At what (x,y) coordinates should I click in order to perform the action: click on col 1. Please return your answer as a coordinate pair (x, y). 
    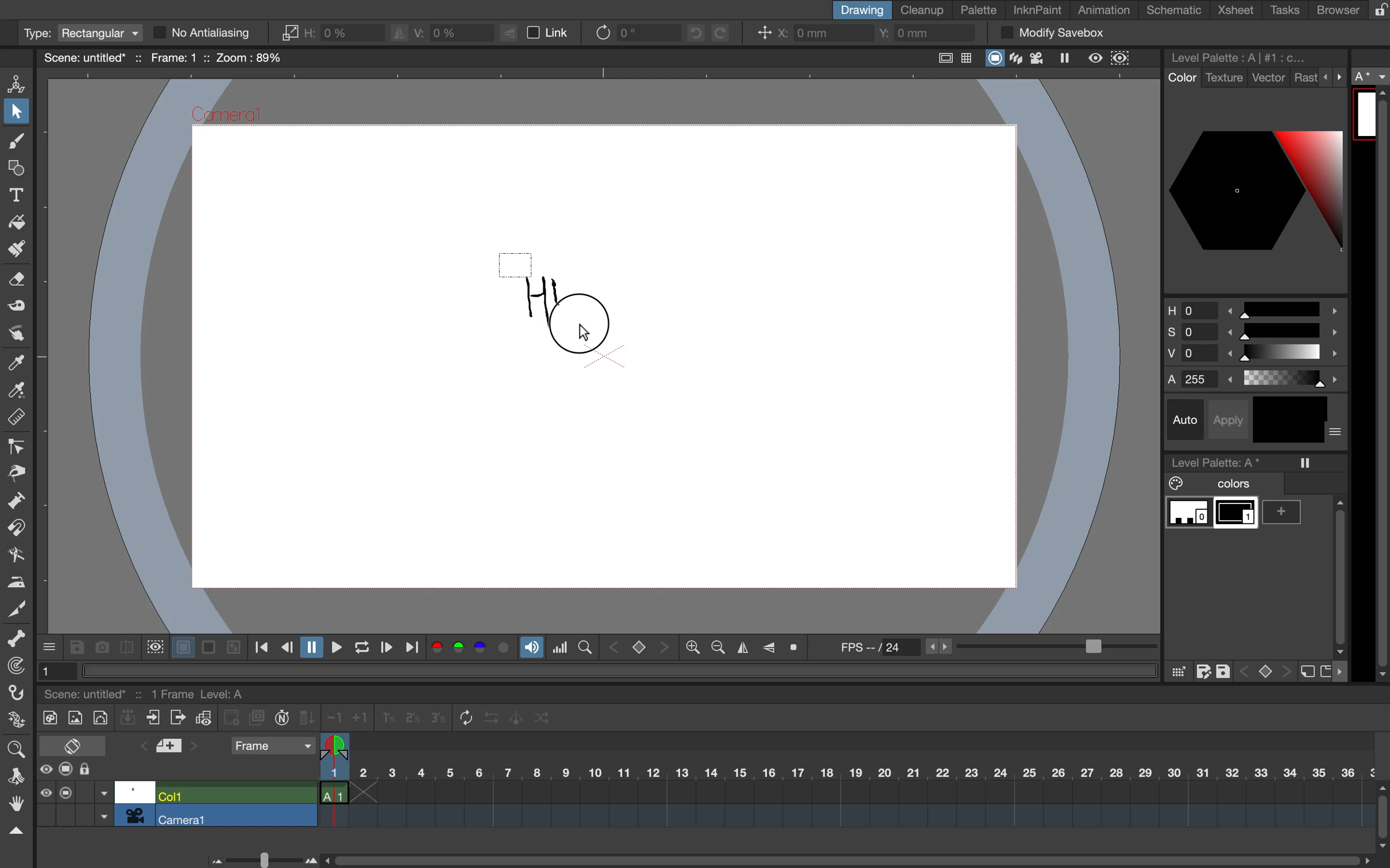
    Looking at the image, I should click on (234, 795).